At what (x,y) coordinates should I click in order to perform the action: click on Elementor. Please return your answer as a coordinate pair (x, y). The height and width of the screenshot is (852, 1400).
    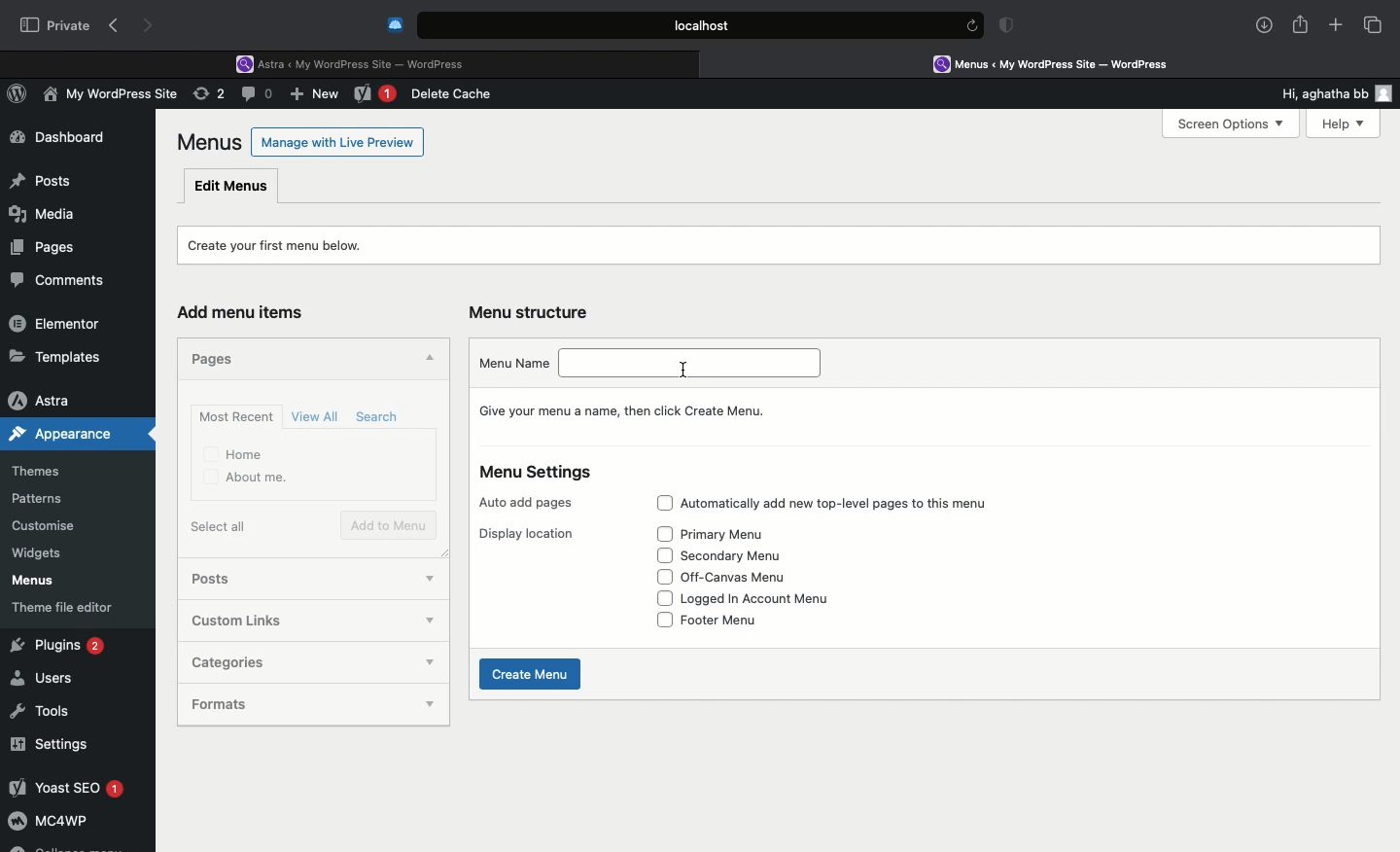
    Looking at the image, I should click on (58, 323).